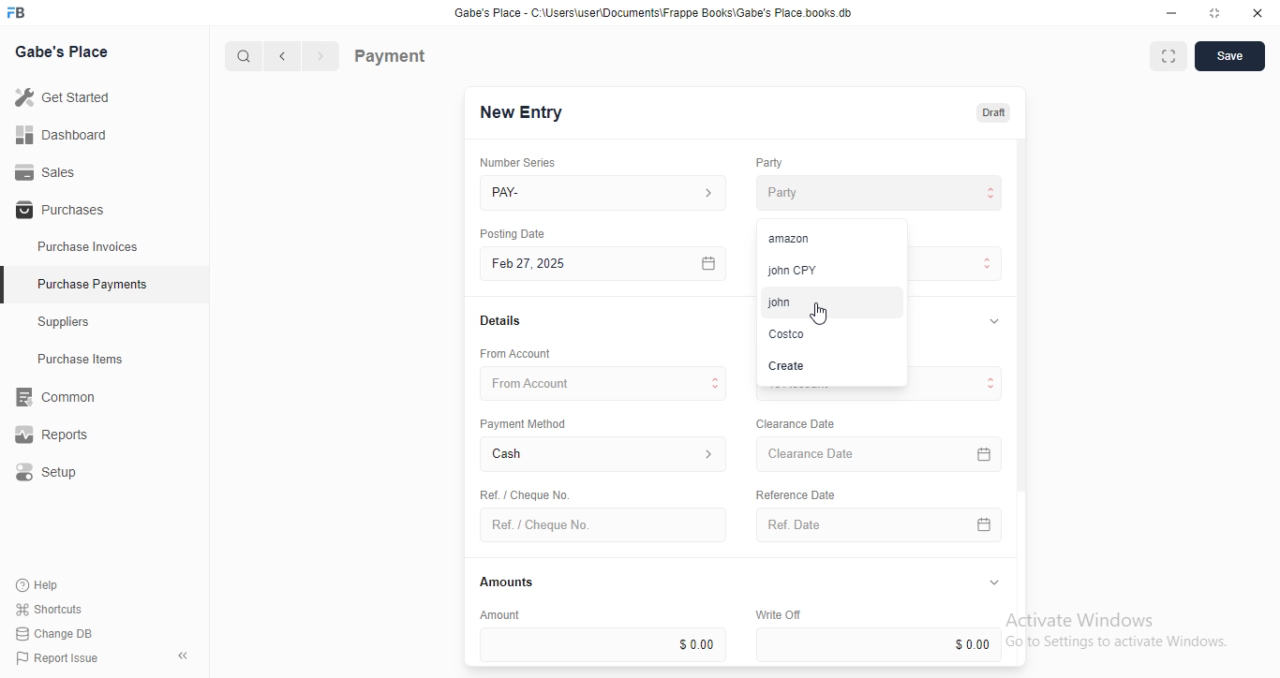 The height and width of the screenshot is (678, 1280). I want to click on Cash, so click(604, 456).